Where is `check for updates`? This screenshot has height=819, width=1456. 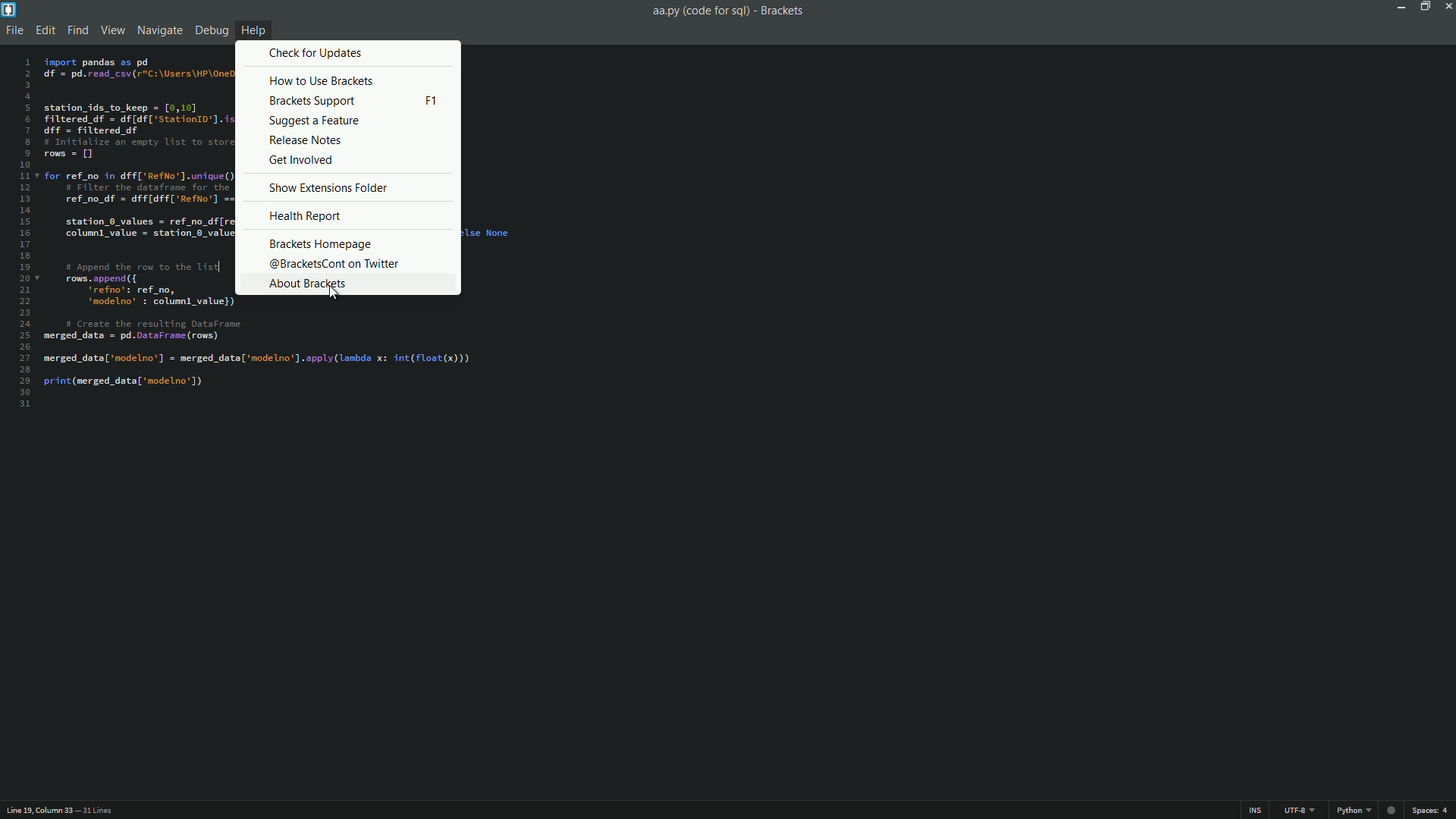
check for updates is located at coordinates (314, 52).